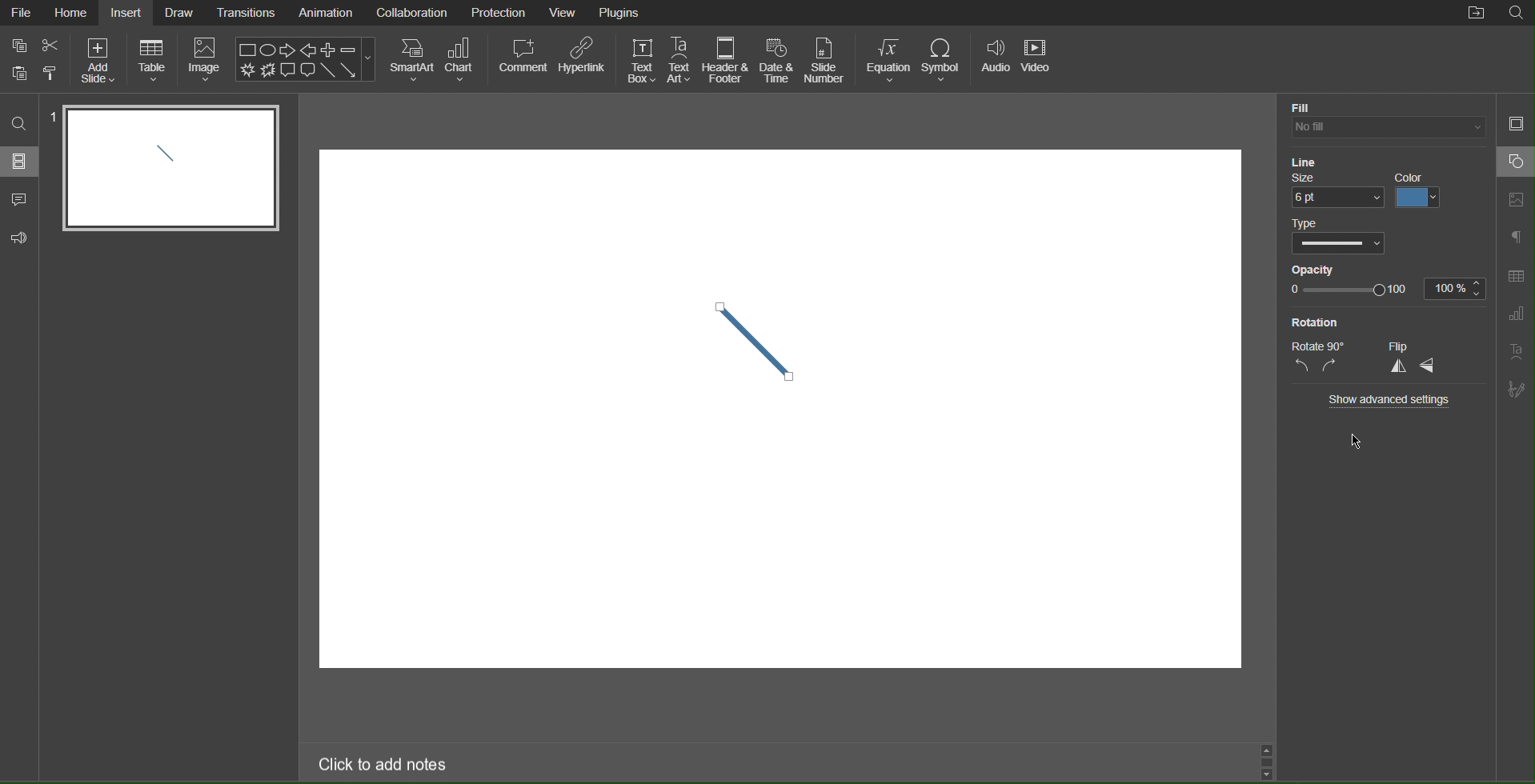  Describe the element at coordinates (1401, 346) in the screenshot. I see `Flip` at that location.